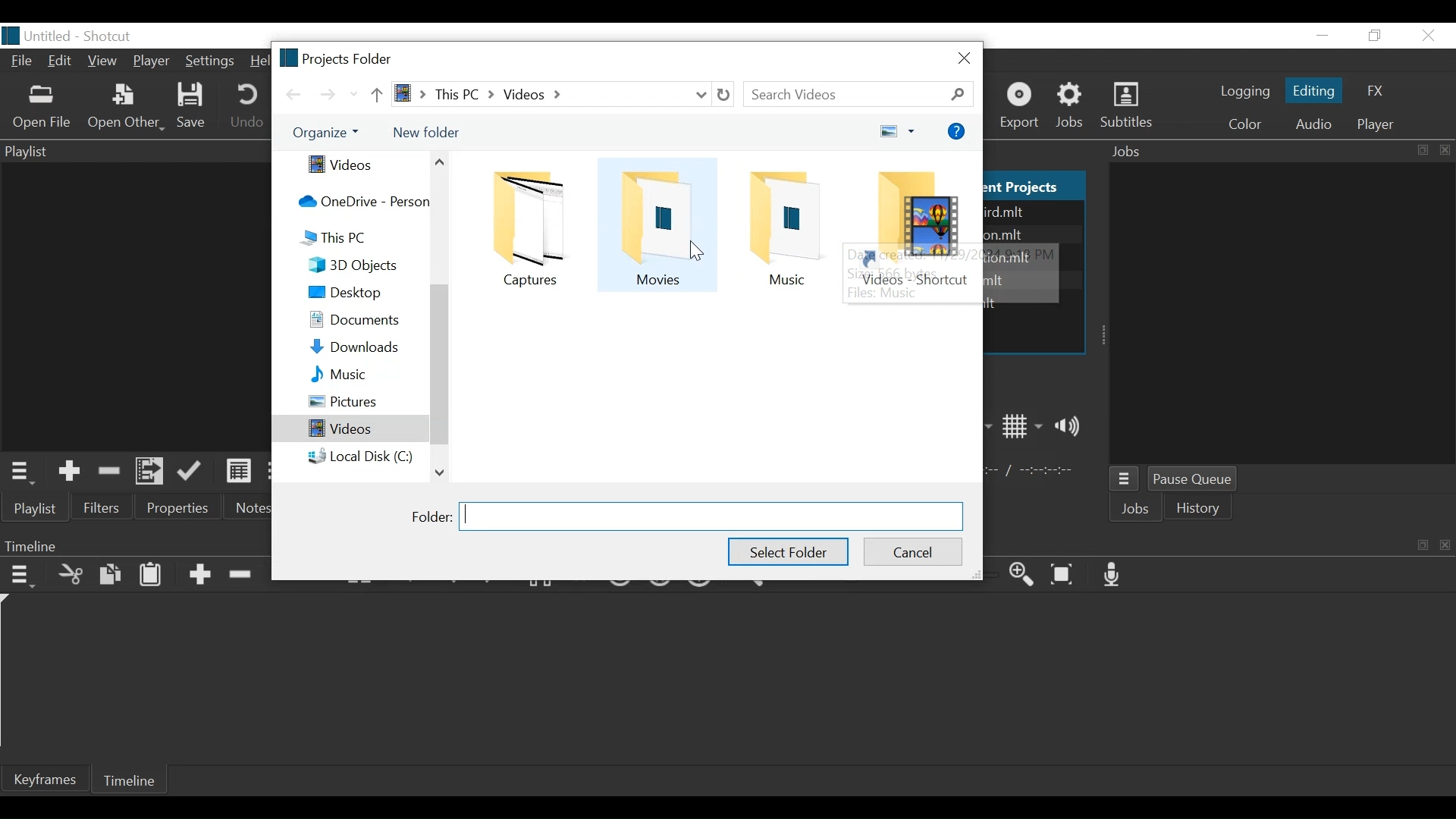  What do you see at coordinates (152, 61) in the screenshot?
I see `Player` at bounding box center [152, 61].